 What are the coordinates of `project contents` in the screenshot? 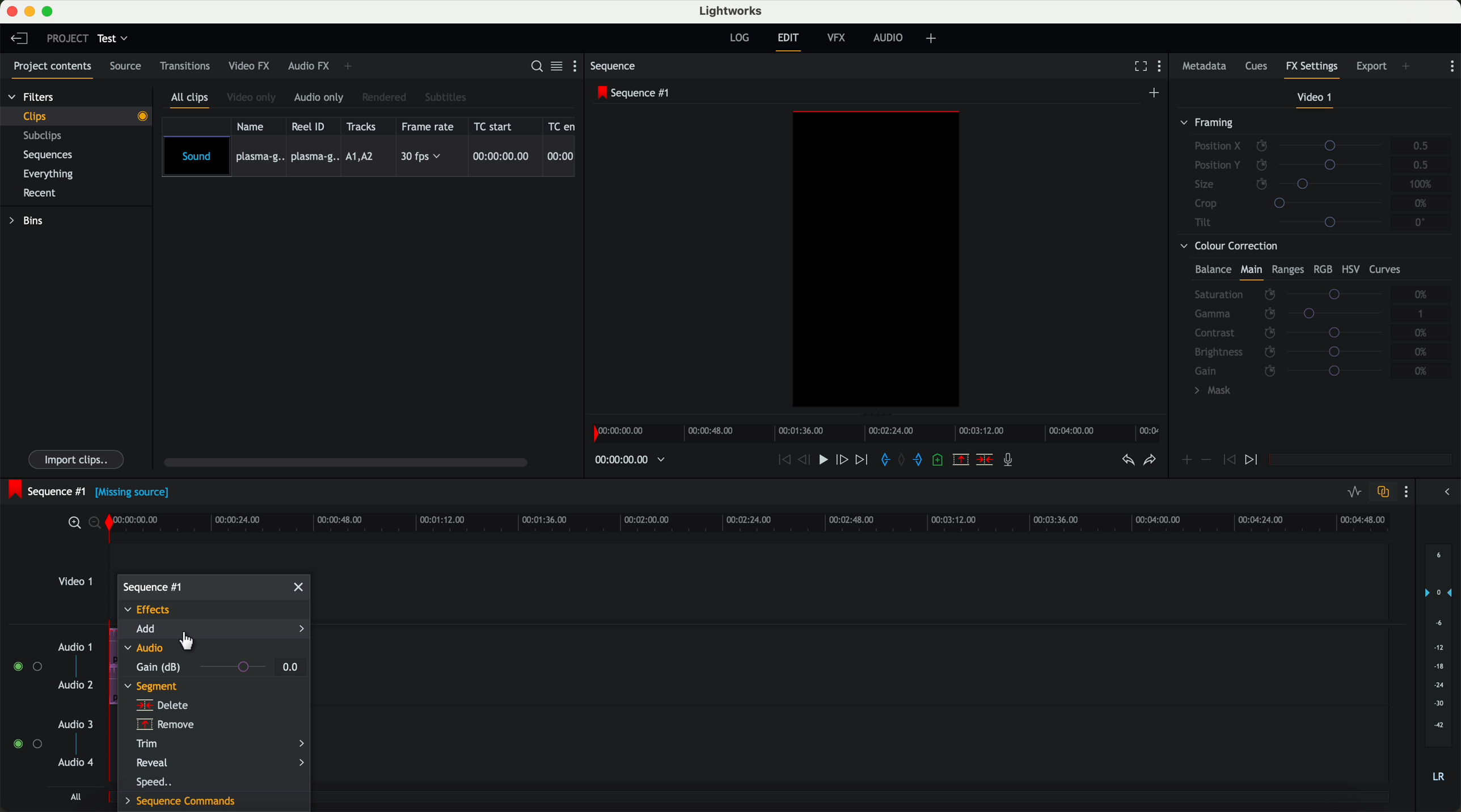 It's located at (49, 68).